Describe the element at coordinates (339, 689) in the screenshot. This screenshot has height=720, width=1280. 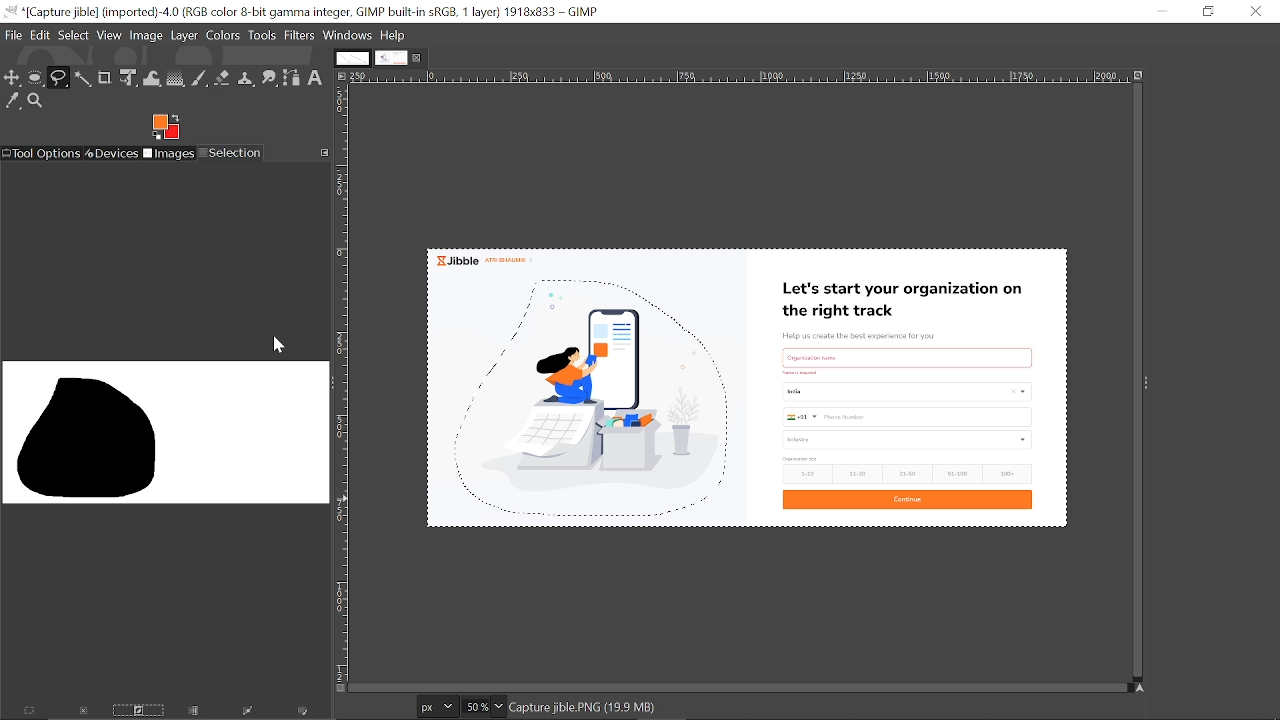
I see `Toggle quick mask on/off` at that location.